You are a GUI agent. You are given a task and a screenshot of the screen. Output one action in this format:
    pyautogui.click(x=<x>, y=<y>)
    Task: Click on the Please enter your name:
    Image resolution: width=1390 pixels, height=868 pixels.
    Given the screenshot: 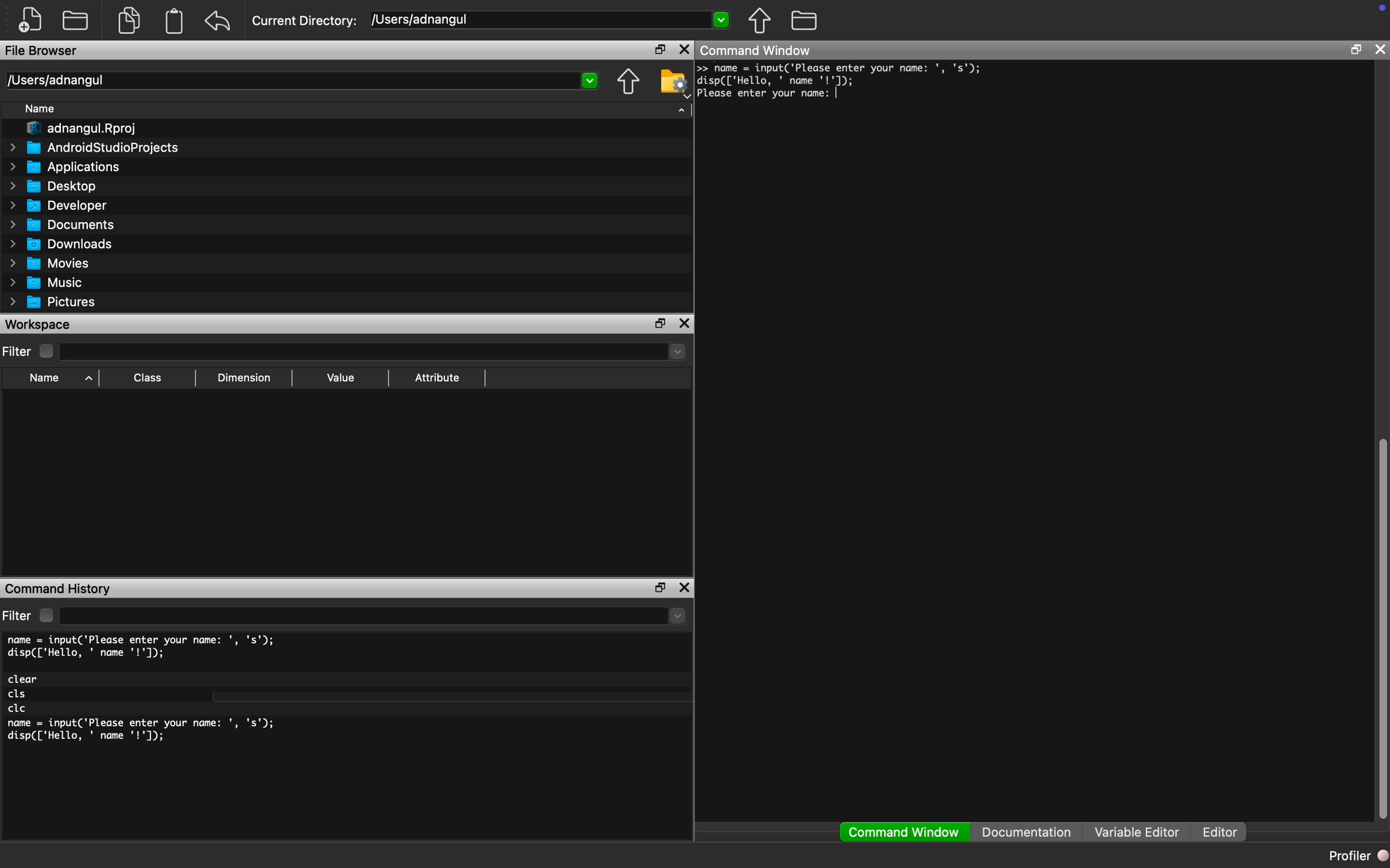 What is the action you would take?
    pyautogui.click(x=769, y=94)
    